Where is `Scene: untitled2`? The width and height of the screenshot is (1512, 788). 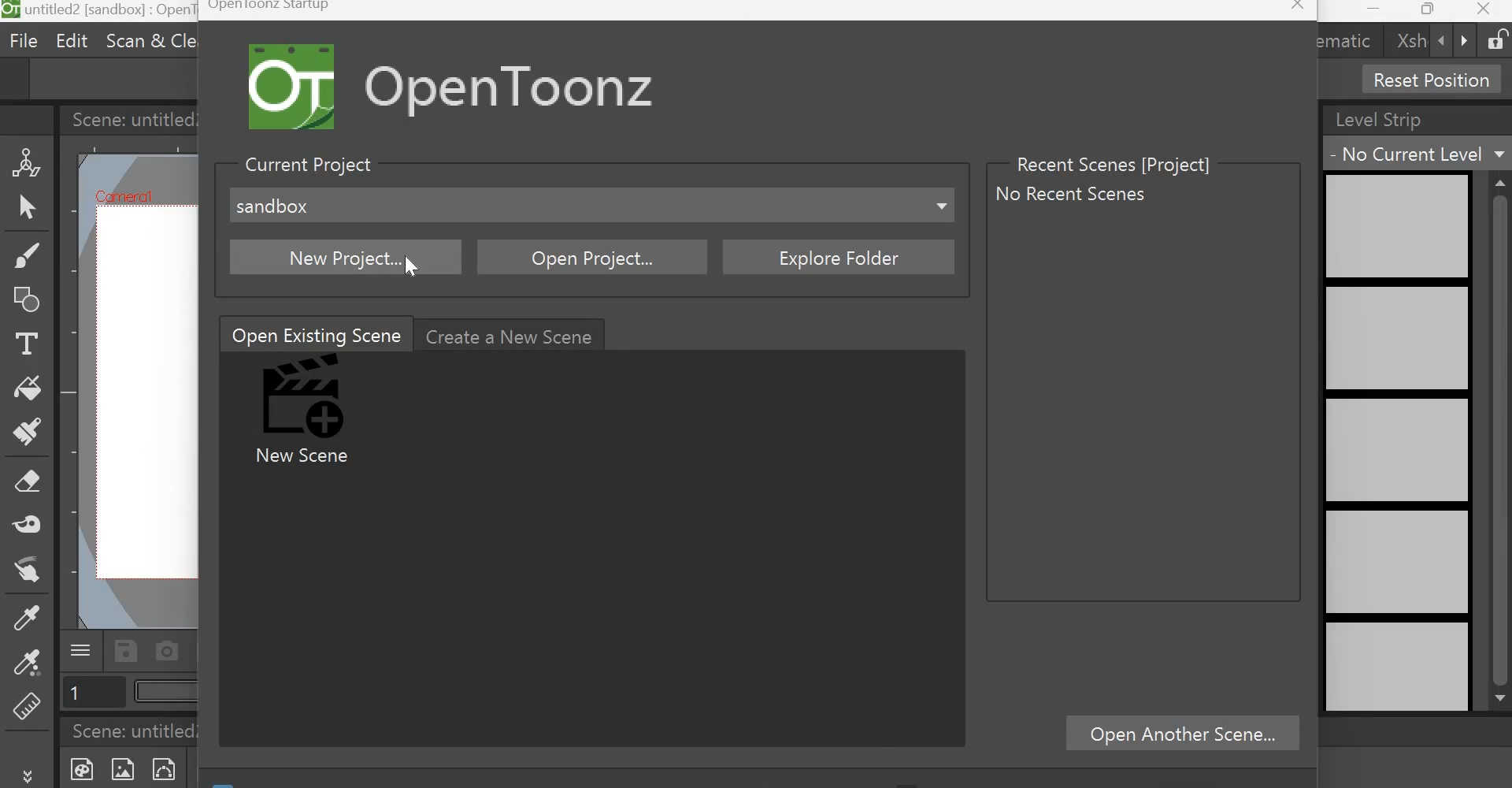
Scene: untitled2 is located at coordinates (139, 731).